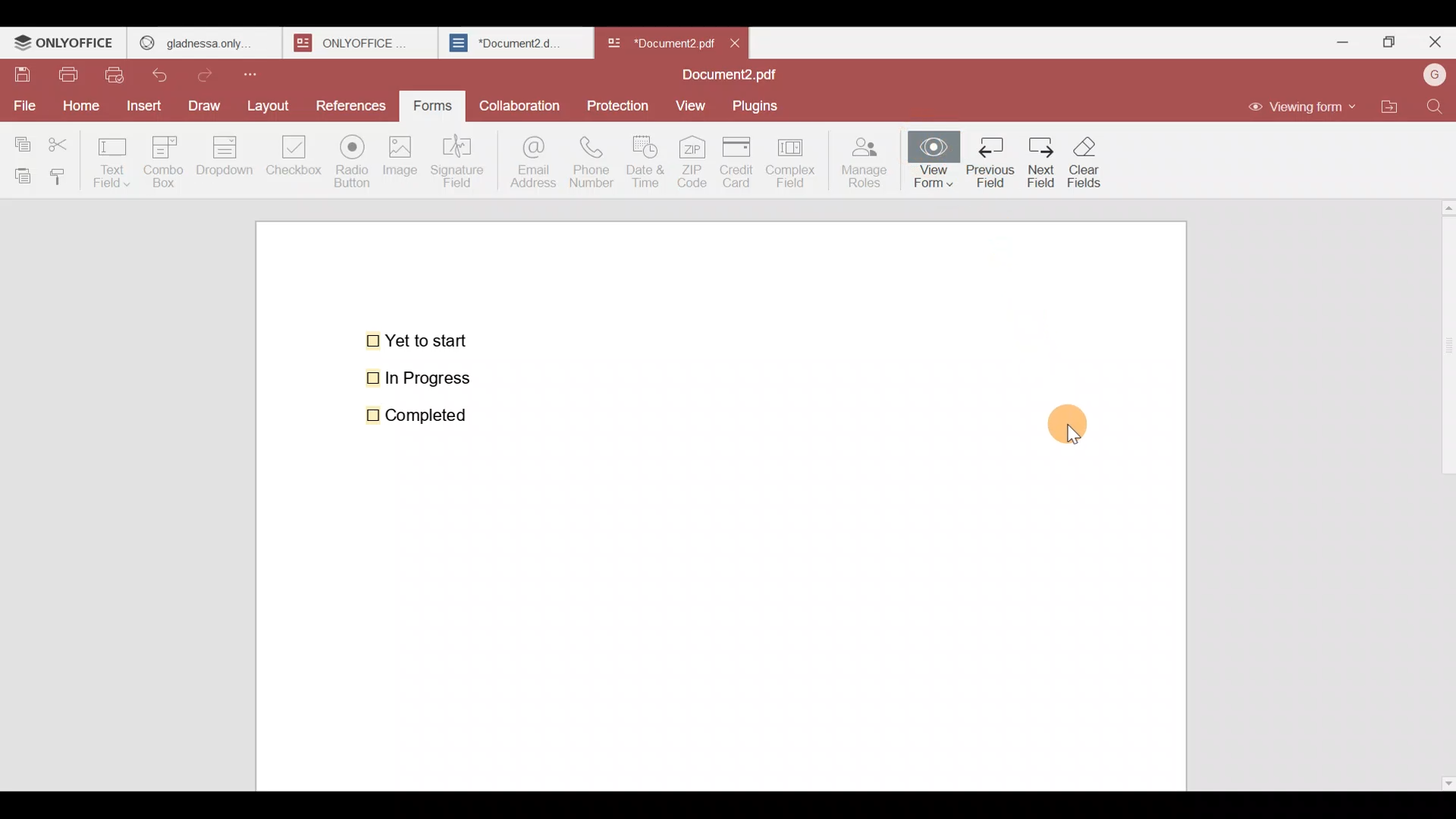 This screenshot has height=819, width=1456. Describe the element at coordinates (593, 162) in the screenshot. I see `Phone number` at that location.